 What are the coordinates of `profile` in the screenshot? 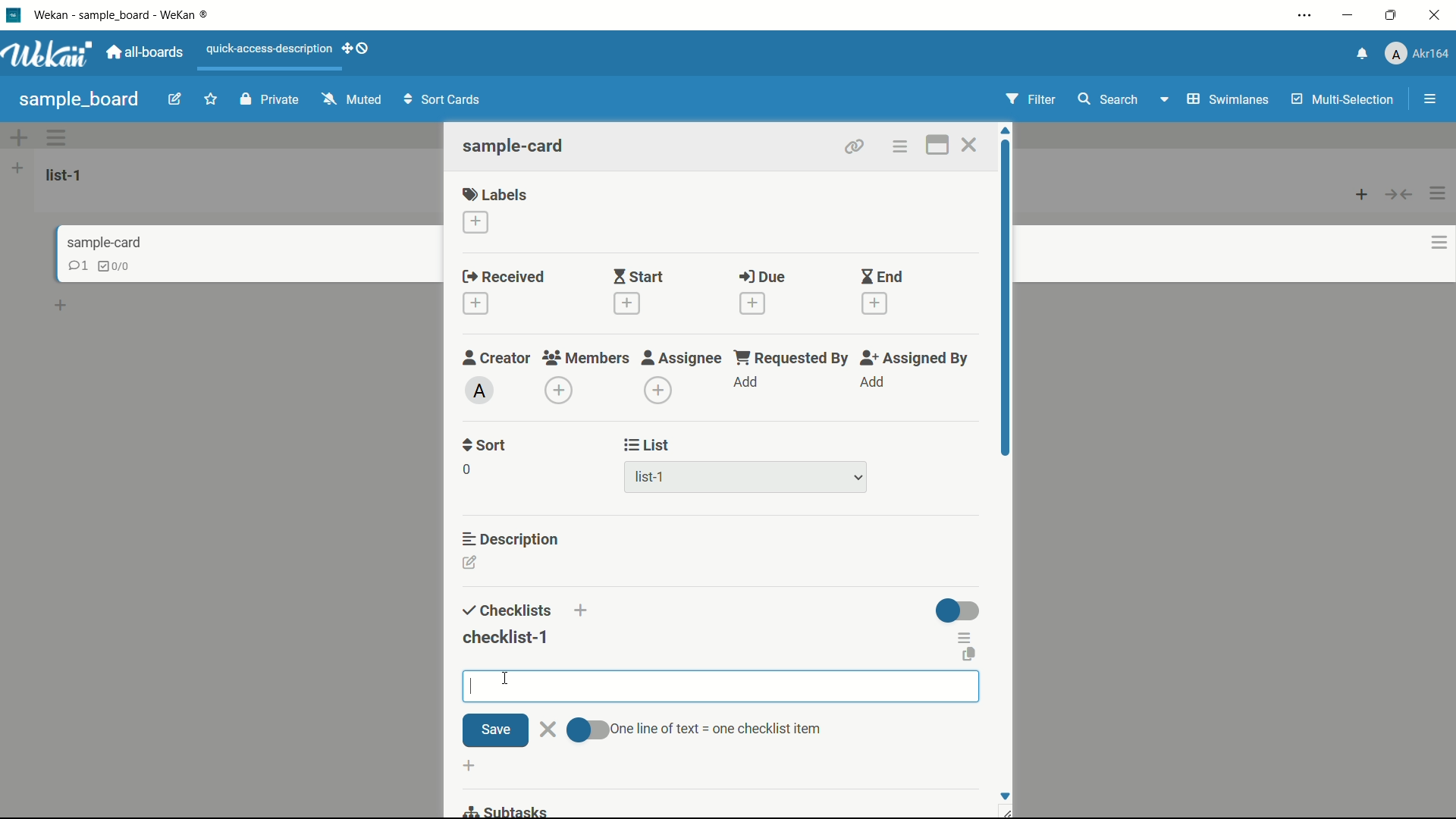 It's located at (1418, 55).